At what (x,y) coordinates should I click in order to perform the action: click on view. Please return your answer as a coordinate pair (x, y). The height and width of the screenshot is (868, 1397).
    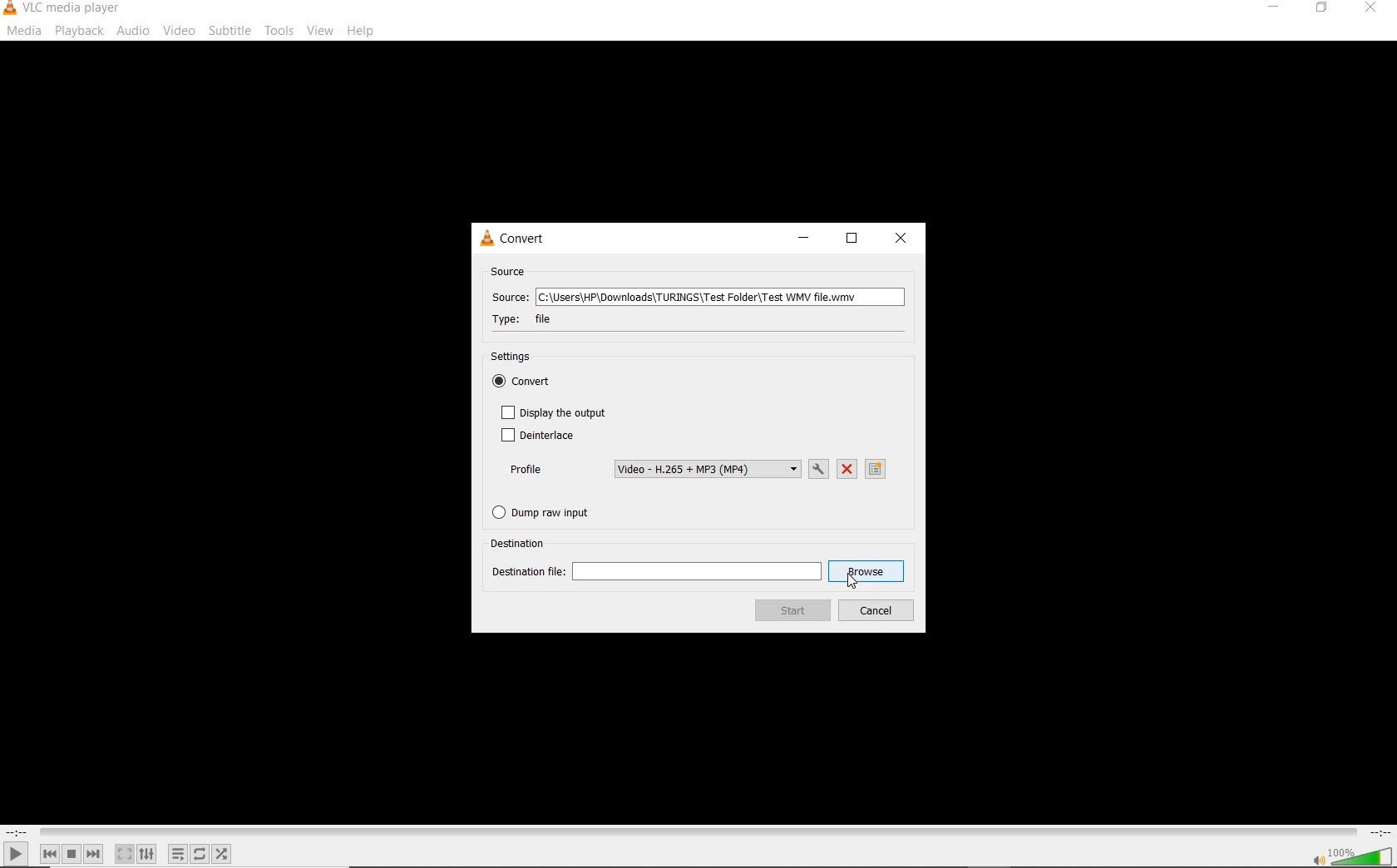
    Looking at the image, I should click on (321, 31).